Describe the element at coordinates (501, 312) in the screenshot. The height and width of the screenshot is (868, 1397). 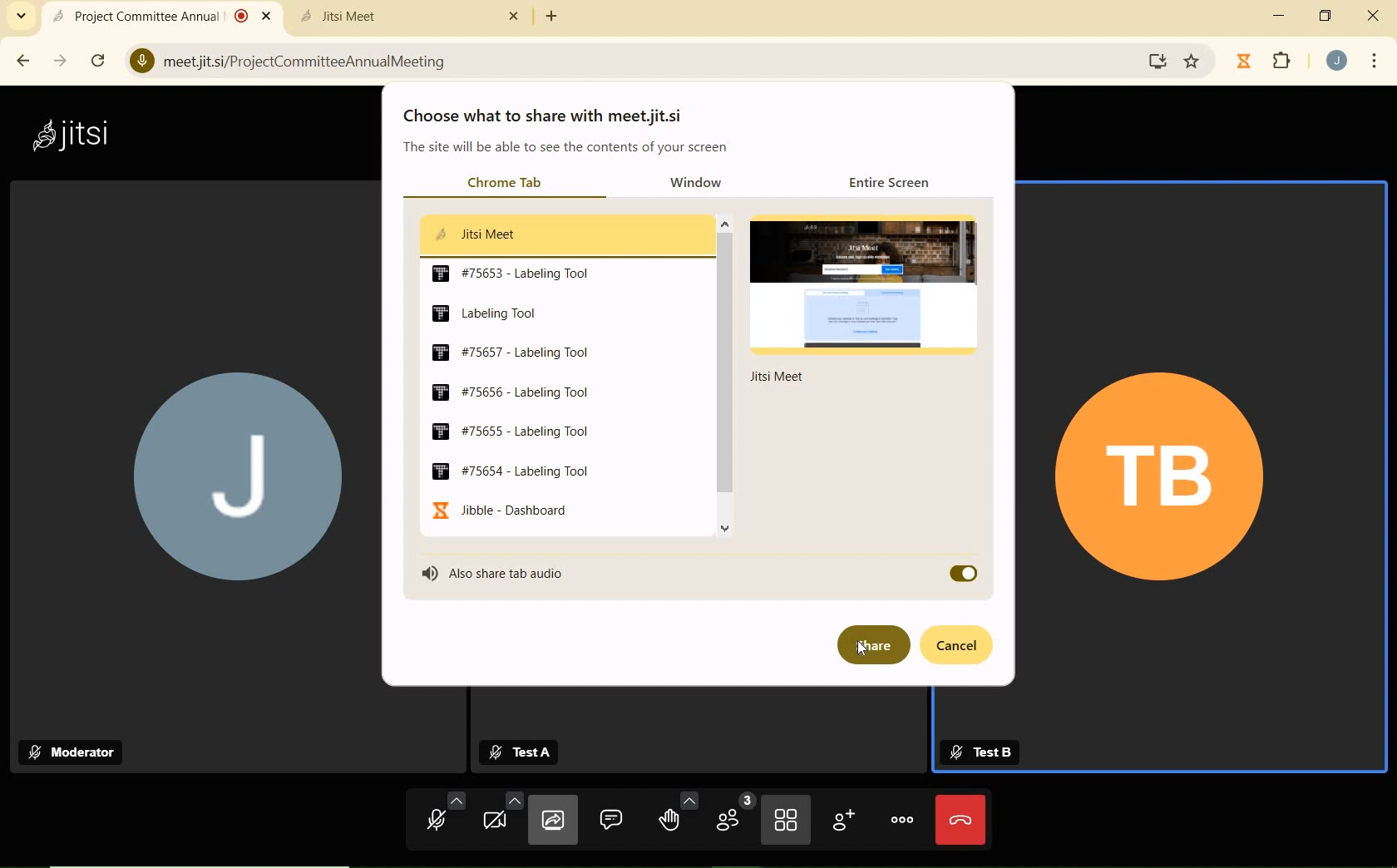
I see ` Labeling Tool` at that location.